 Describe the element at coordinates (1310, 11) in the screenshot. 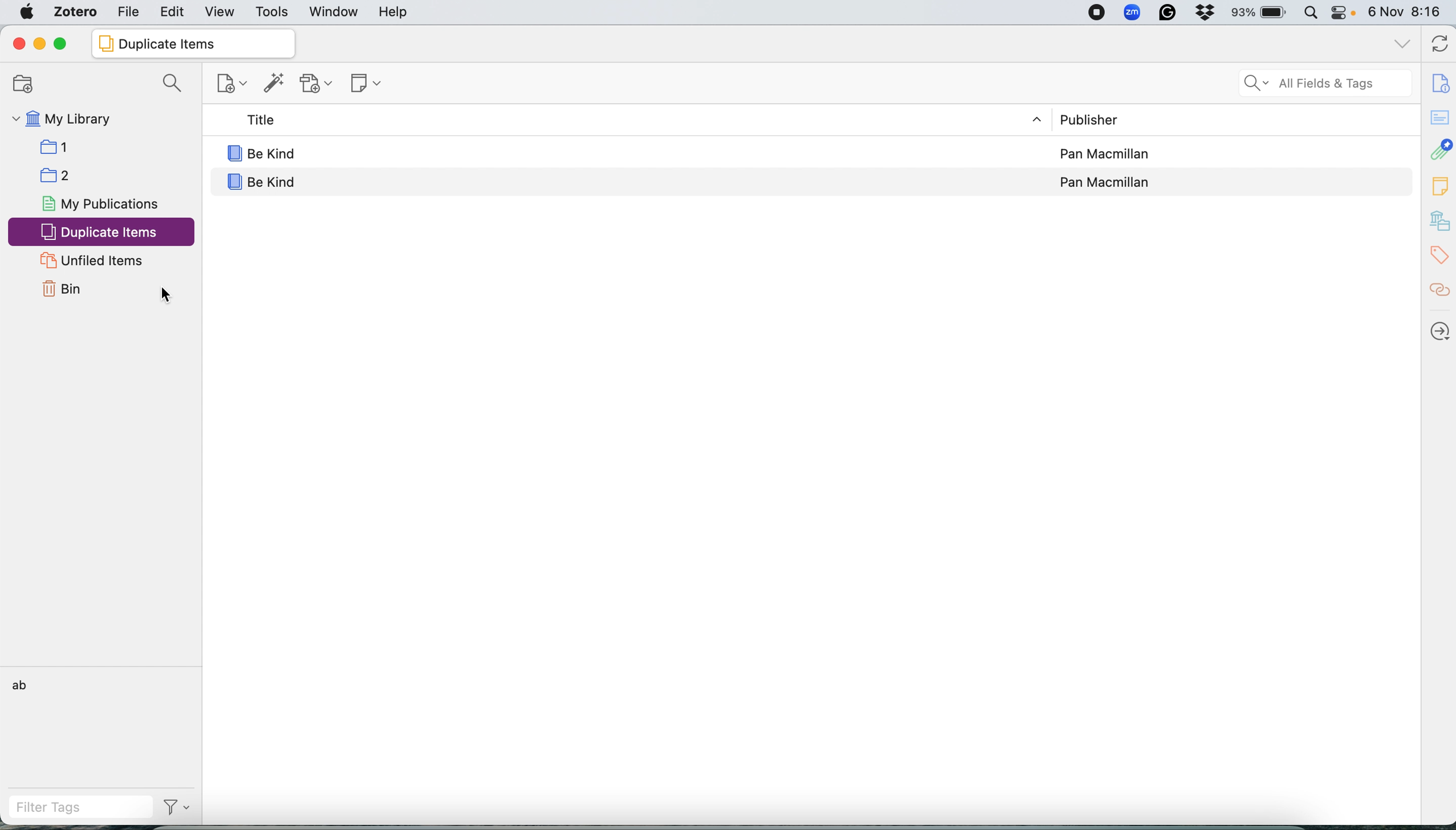

I see `spotlight search` at that location.